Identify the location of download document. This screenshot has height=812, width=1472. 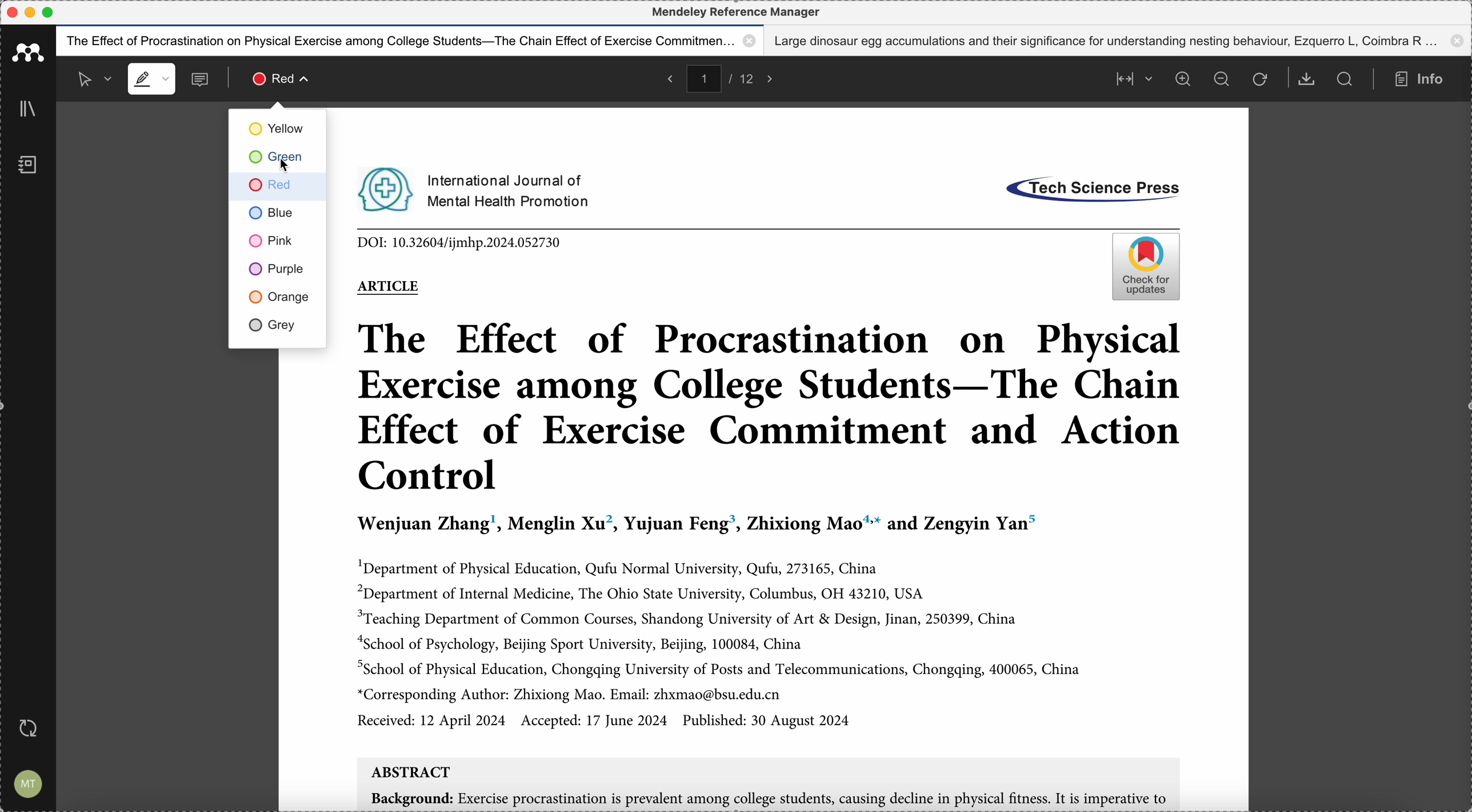
(1307, 79).